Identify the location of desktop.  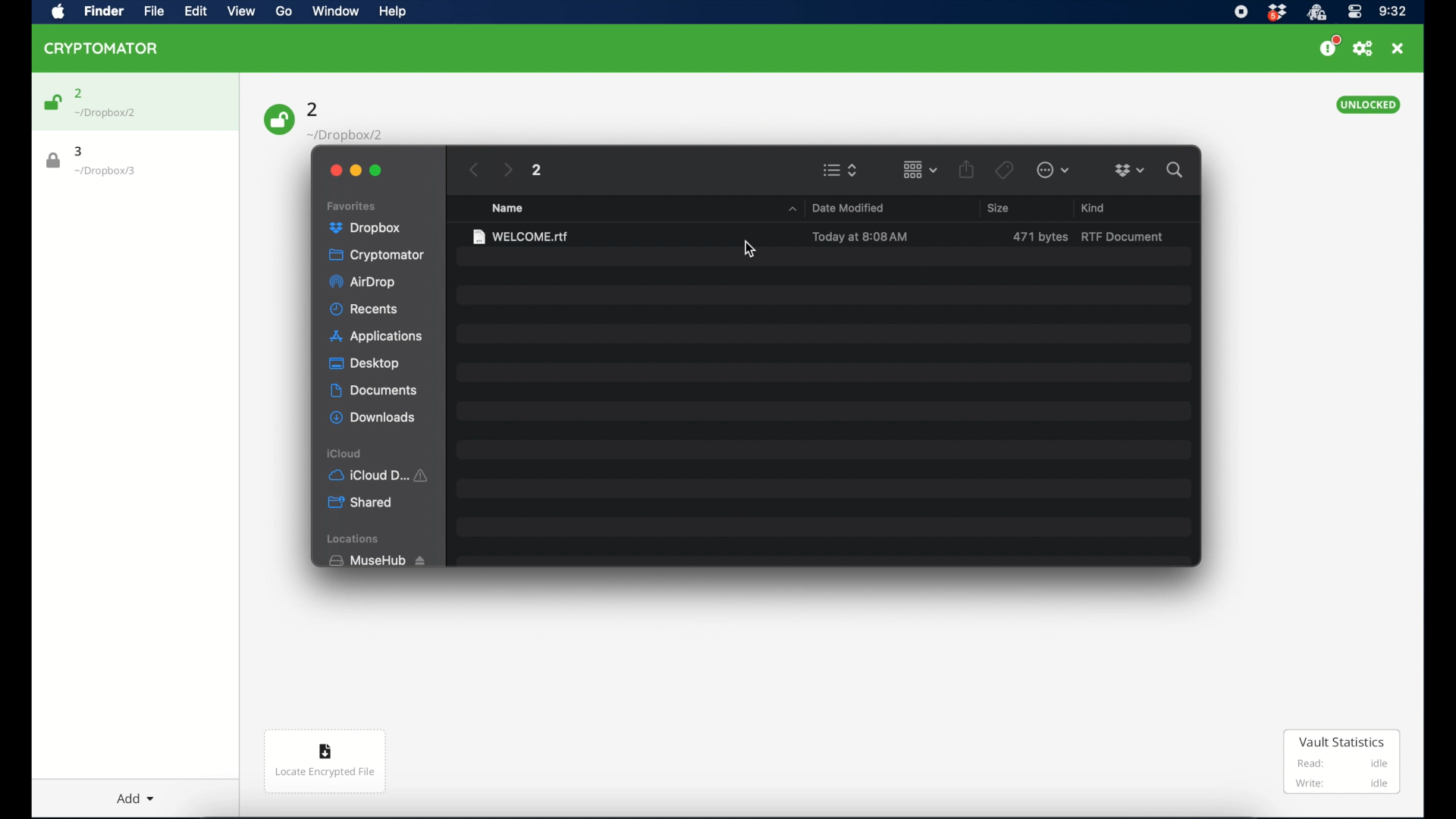
(364, 363).